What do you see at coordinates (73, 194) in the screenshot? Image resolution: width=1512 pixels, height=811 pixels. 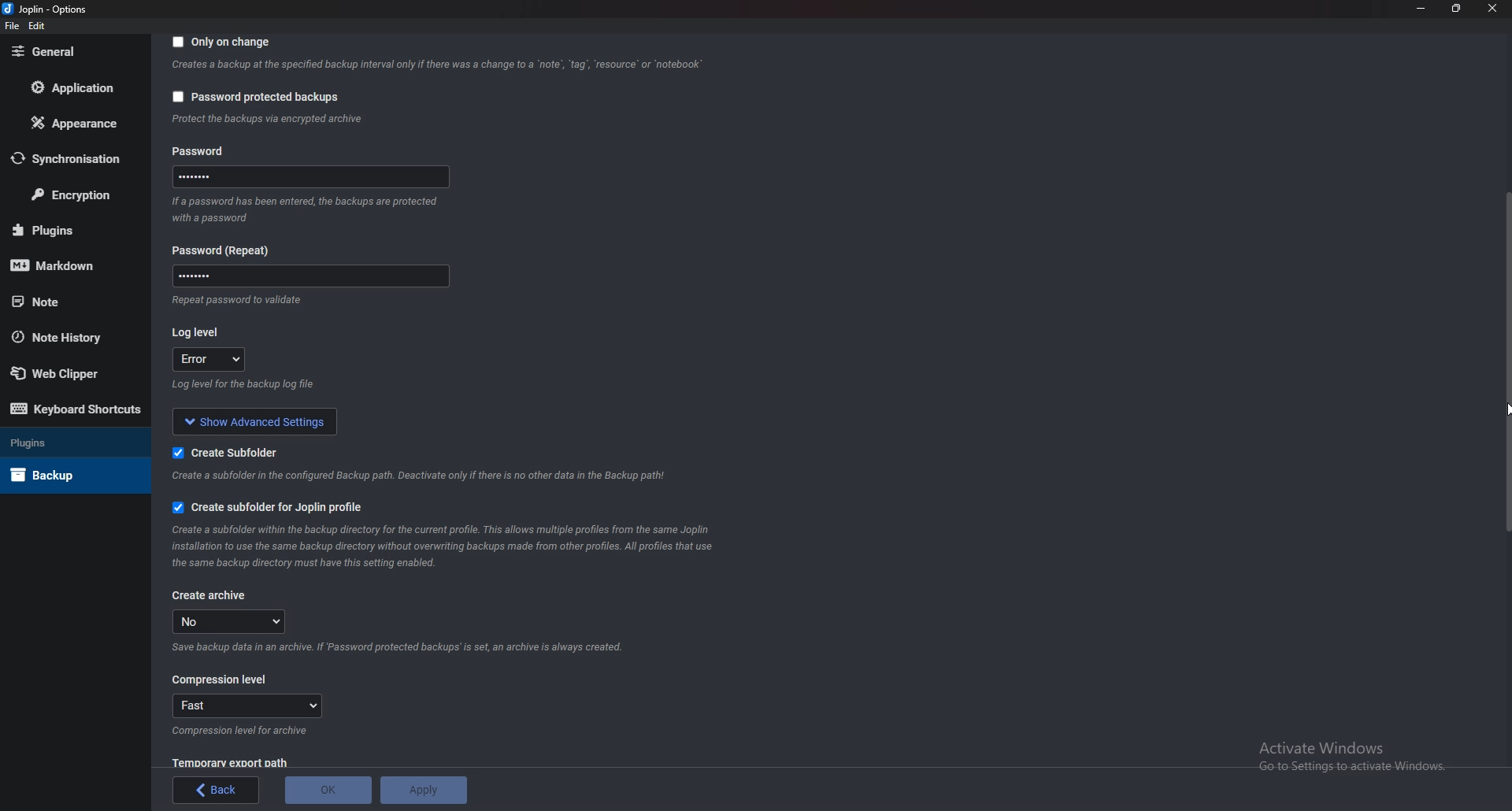 I see `Encryption` at bounding box center [73, 194].